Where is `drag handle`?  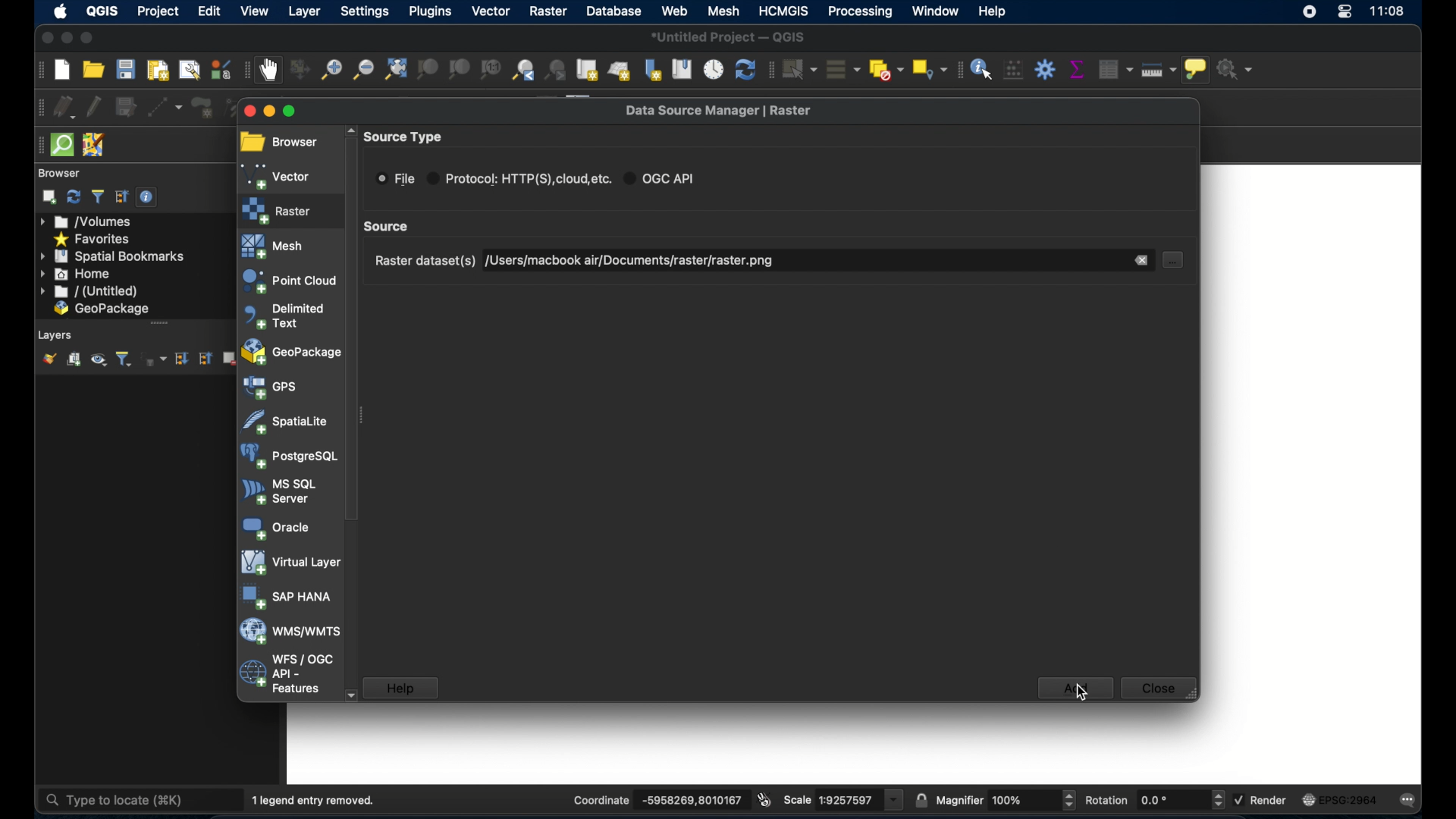 drag handle is located at coordinates (160, 322).